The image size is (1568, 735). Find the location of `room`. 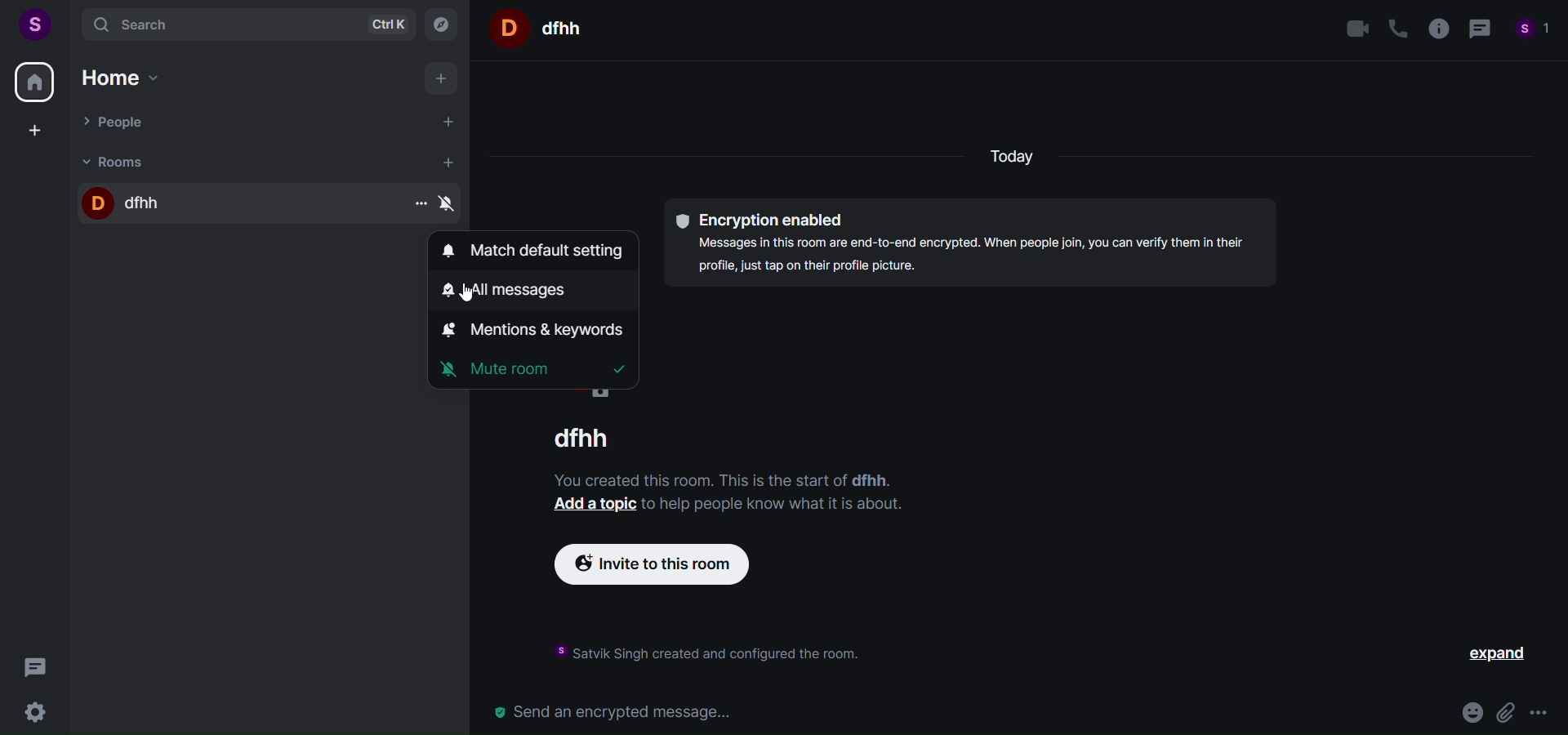

room is located at coordinates (232, 163).